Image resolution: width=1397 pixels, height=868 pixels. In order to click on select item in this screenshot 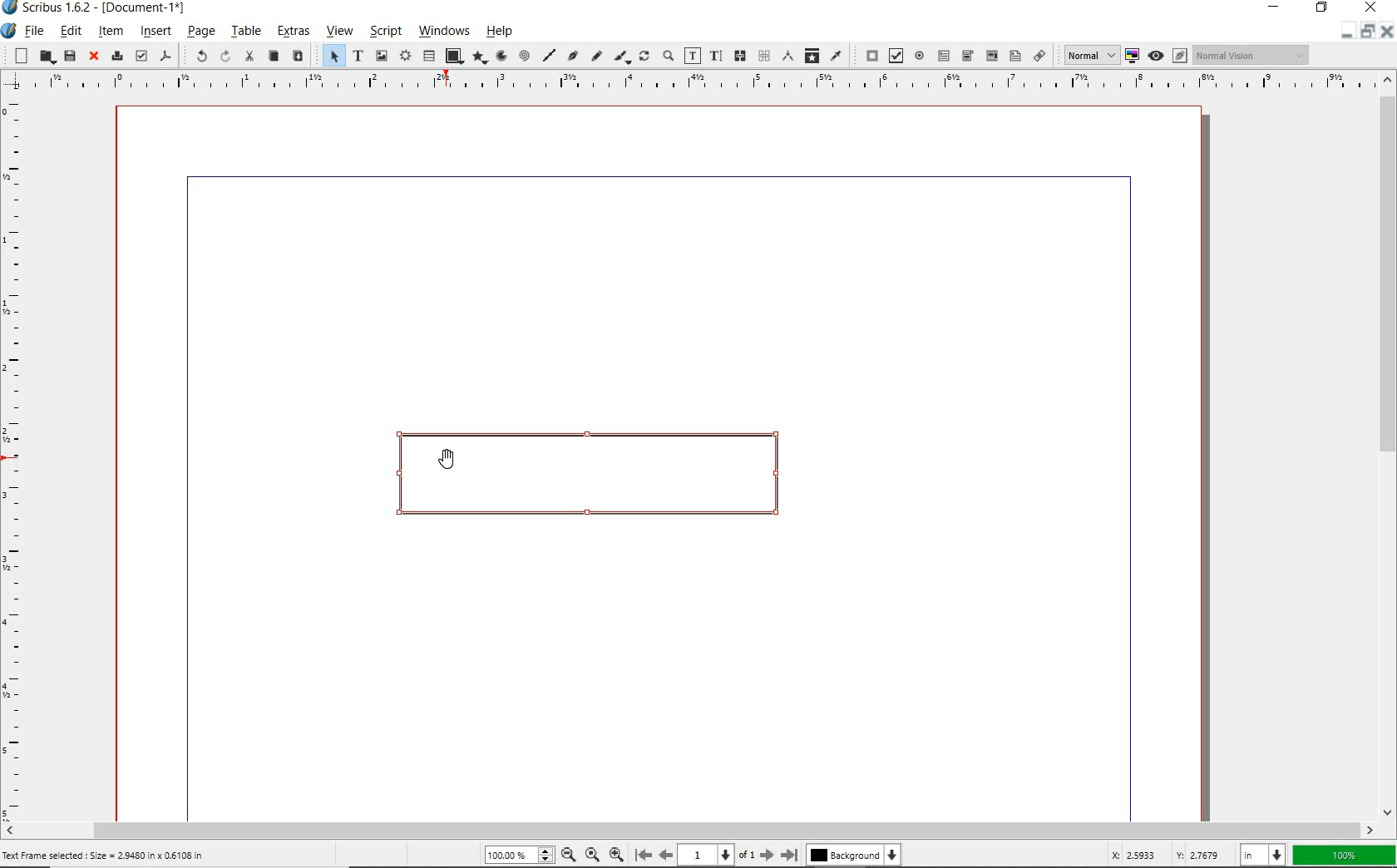, I will do `click(331, 57)`.